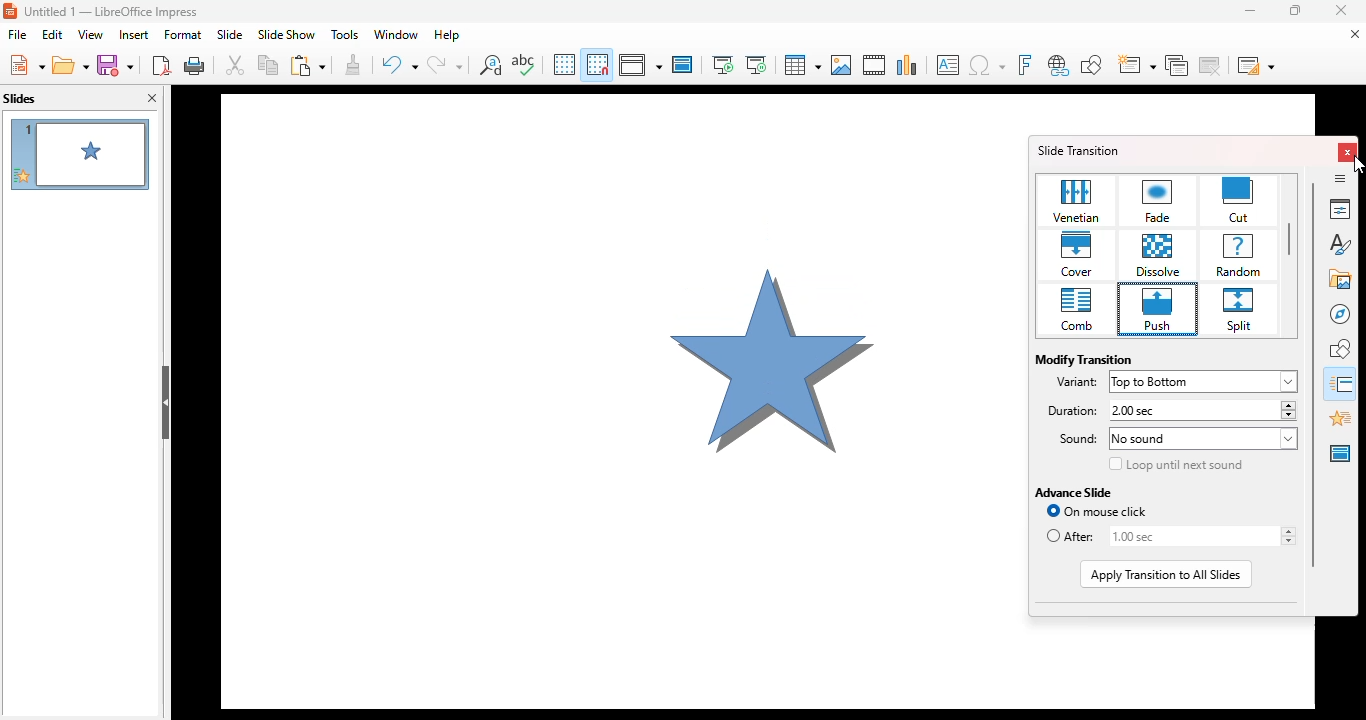 The width and height of the screenshot is (1366, 720). I want to click on vertical scroll bar, so click(1291, 240).